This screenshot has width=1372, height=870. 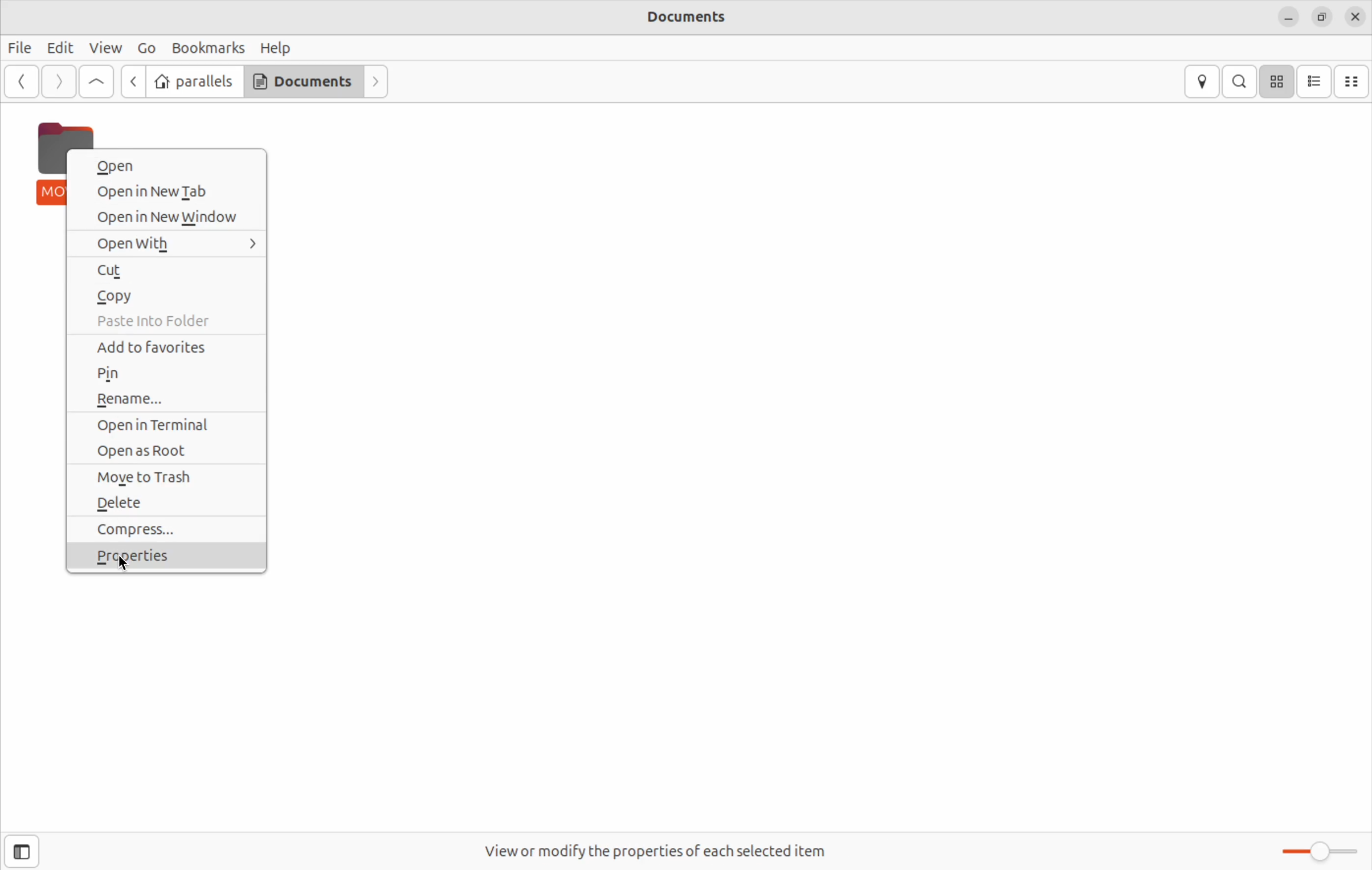 What do you see at coordinates (166, 560) in the screenshot?
I see `properties` at bounding box center [166, 560].